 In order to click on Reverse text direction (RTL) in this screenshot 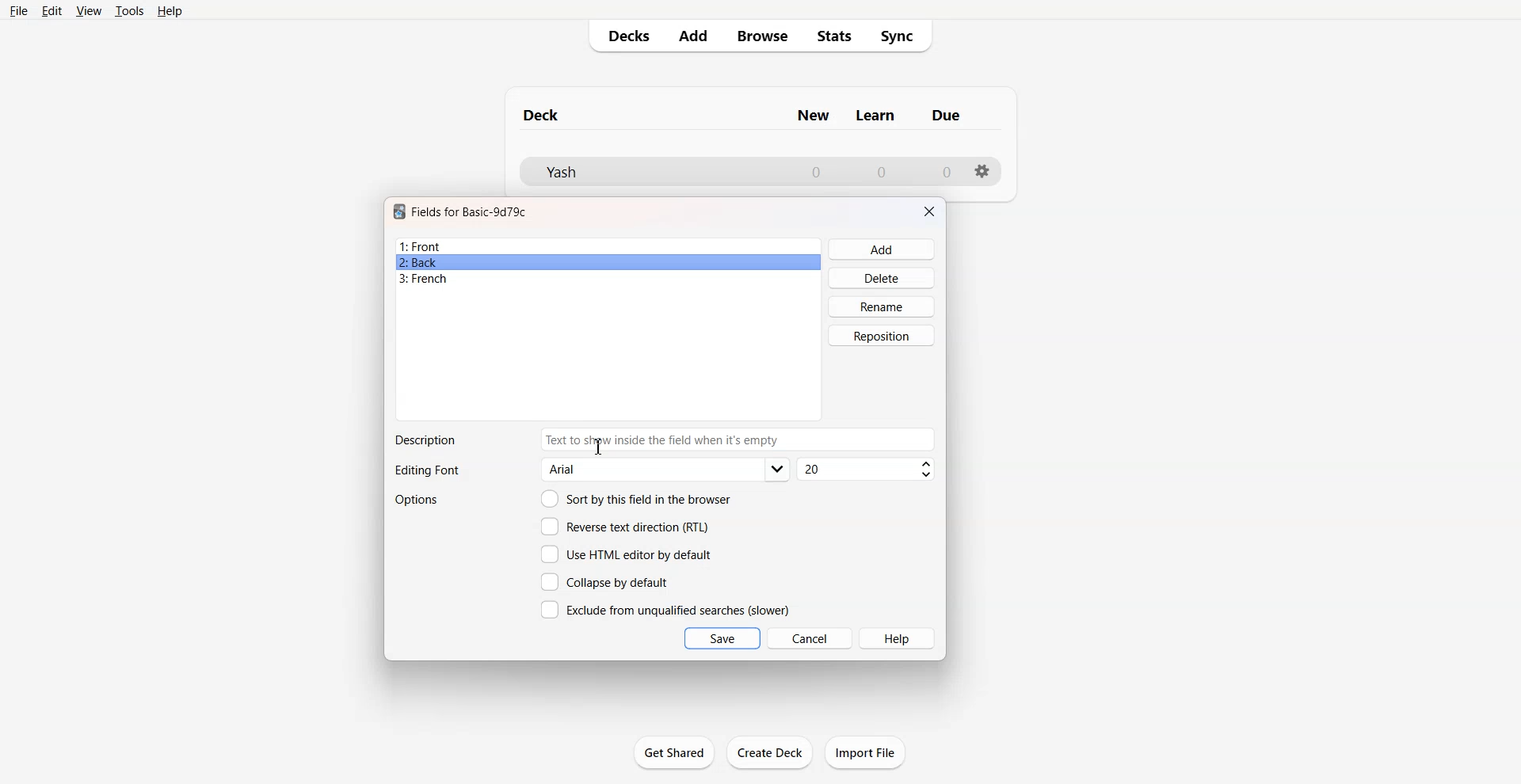, I will do `click(625, 527)`.